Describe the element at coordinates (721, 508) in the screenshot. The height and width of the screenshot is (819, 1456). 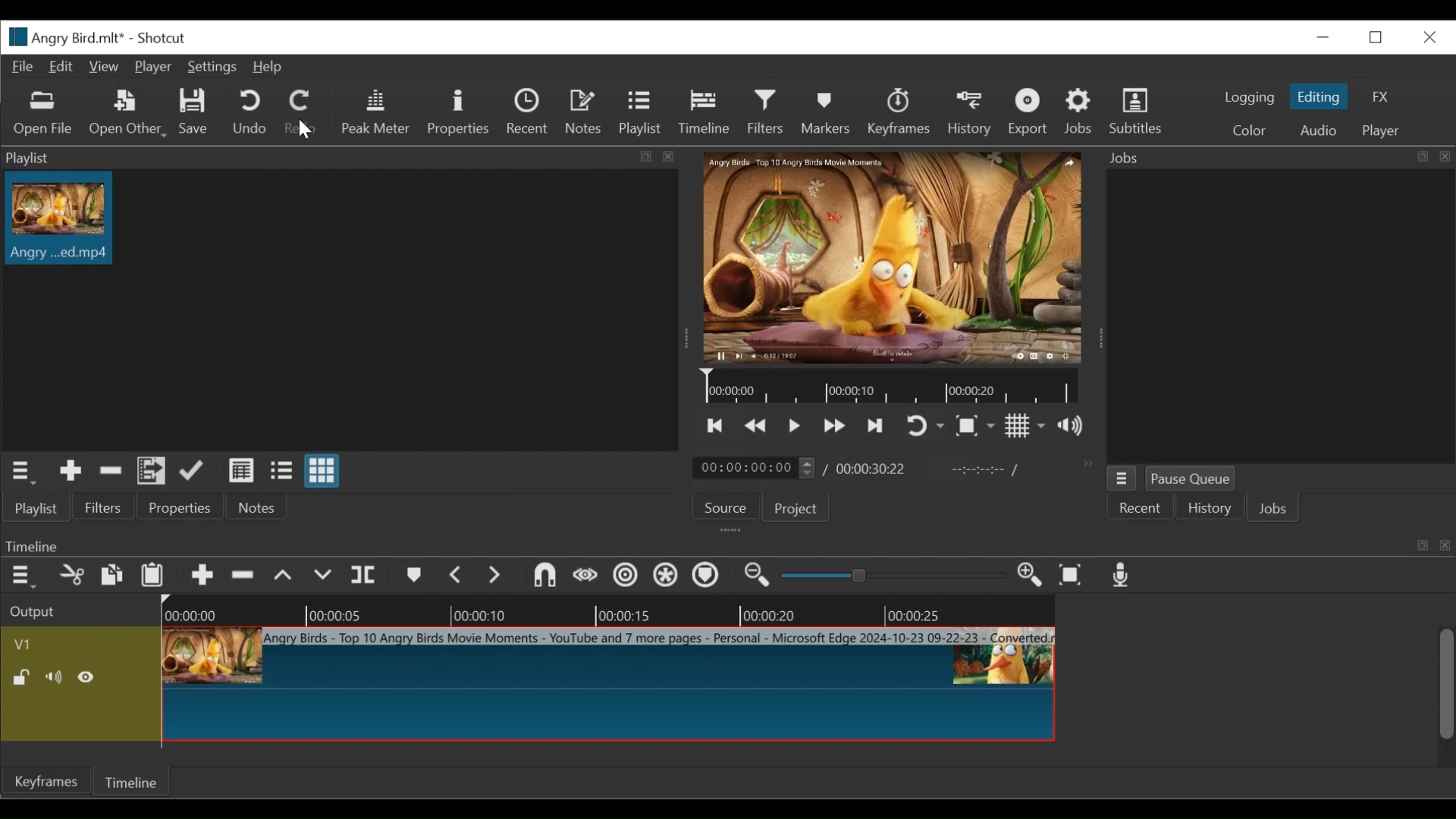
I see `Source` at that location.